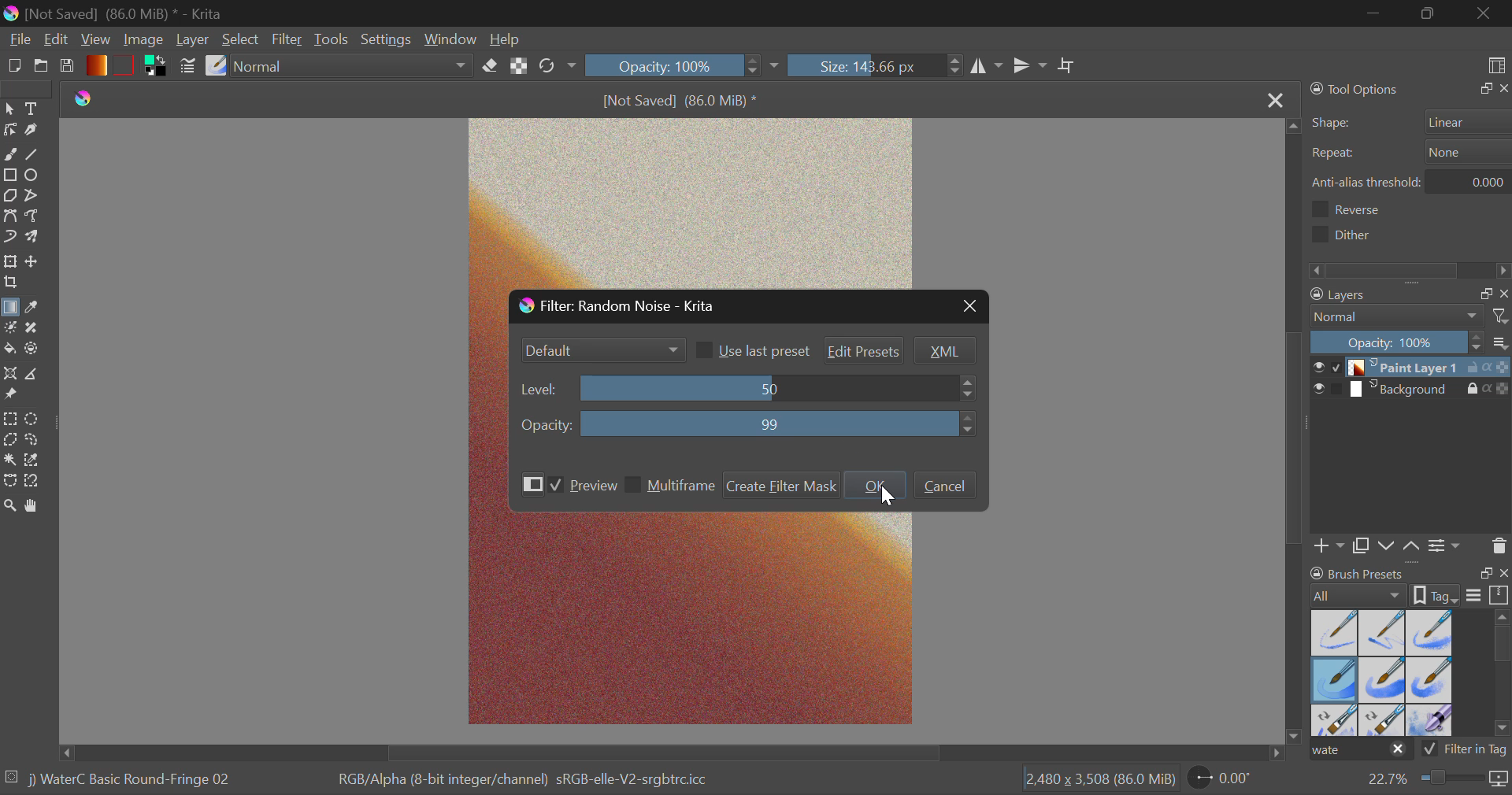 This screenshot has width=1512, height=795. What do you see at coordinates (36, 442) in the screenshot?
I see `Freehand Selection` at bounding box center [36, 442].